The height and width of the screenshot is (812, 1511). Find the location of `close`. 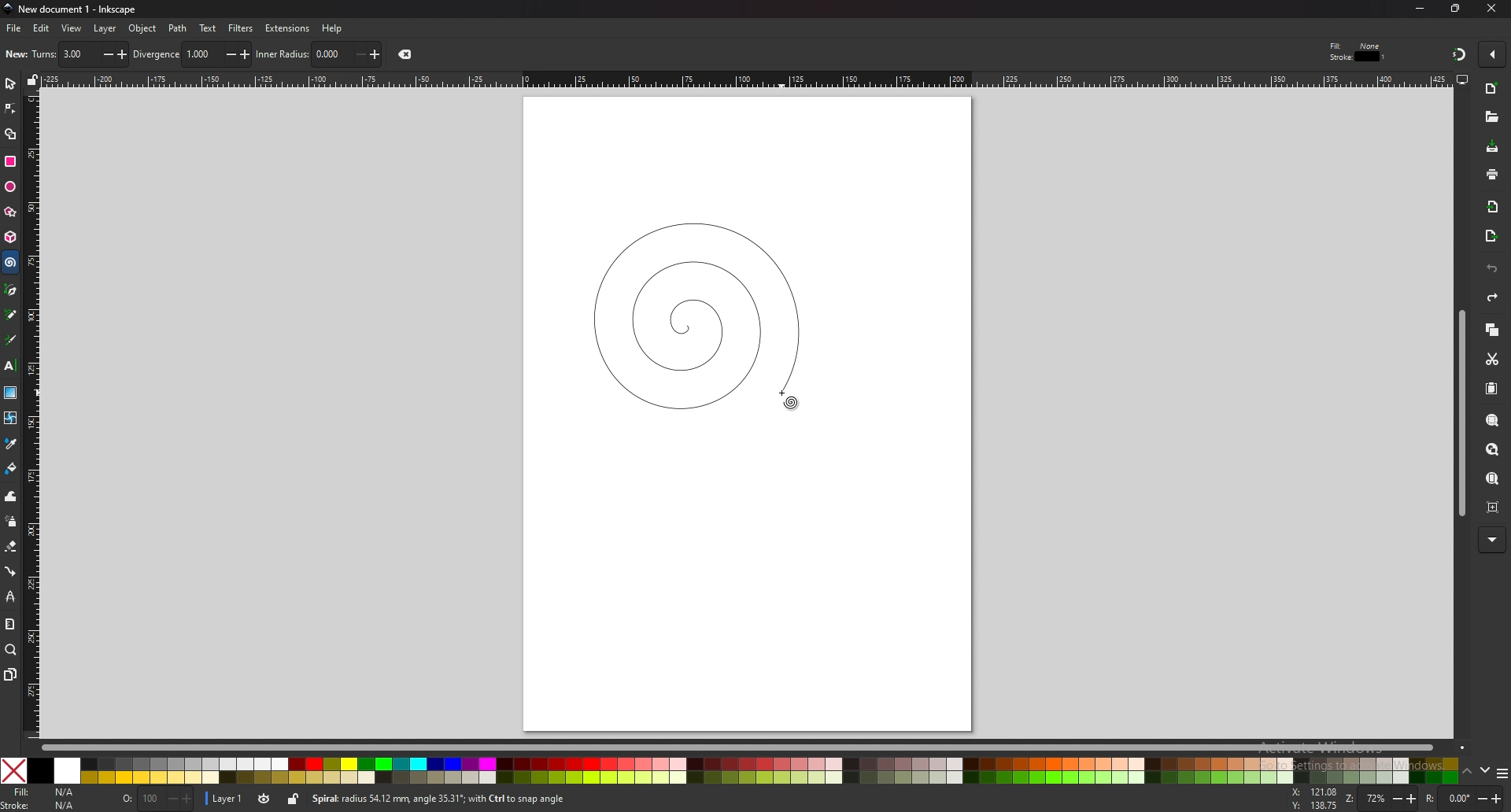

close is located at coordinates (1491, 9).